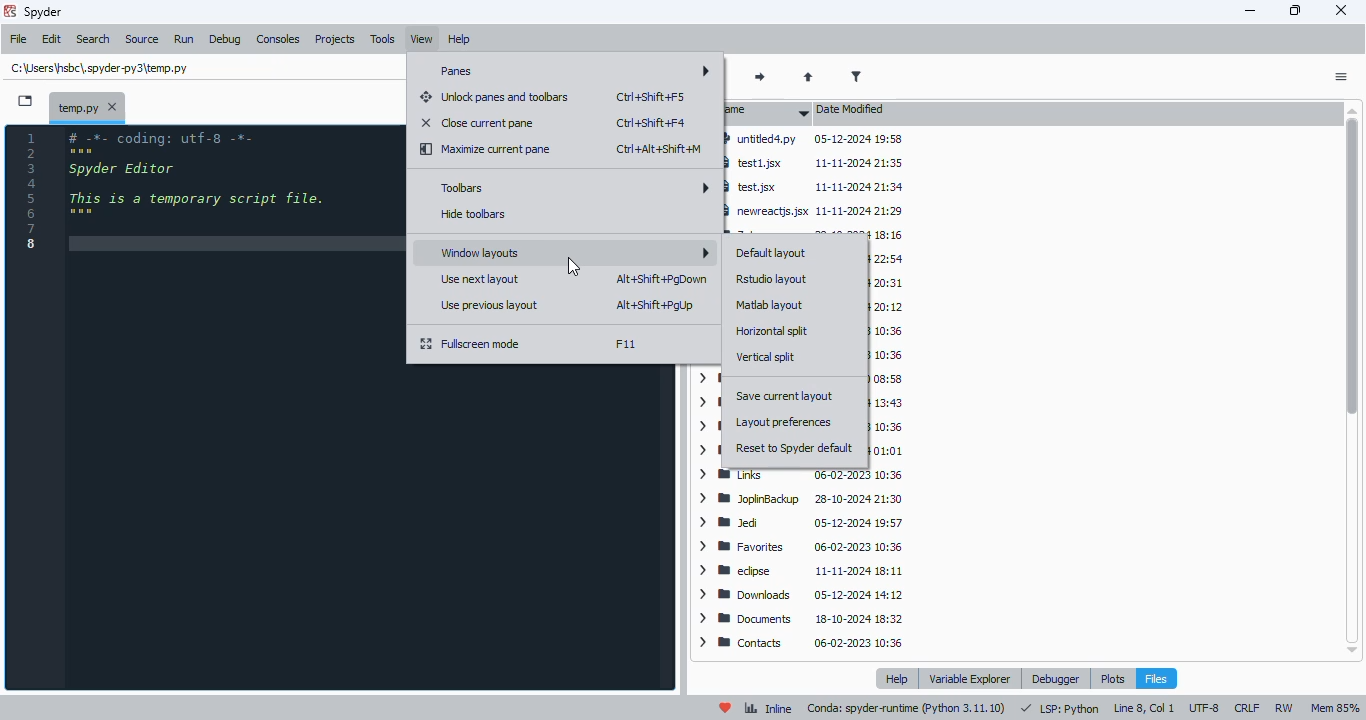 This screenshot has width=1366, height=720. What do you see at coordinates (770, 305) in the screenshot?
I see `MatLab layout` at bounding box center [770, 305].